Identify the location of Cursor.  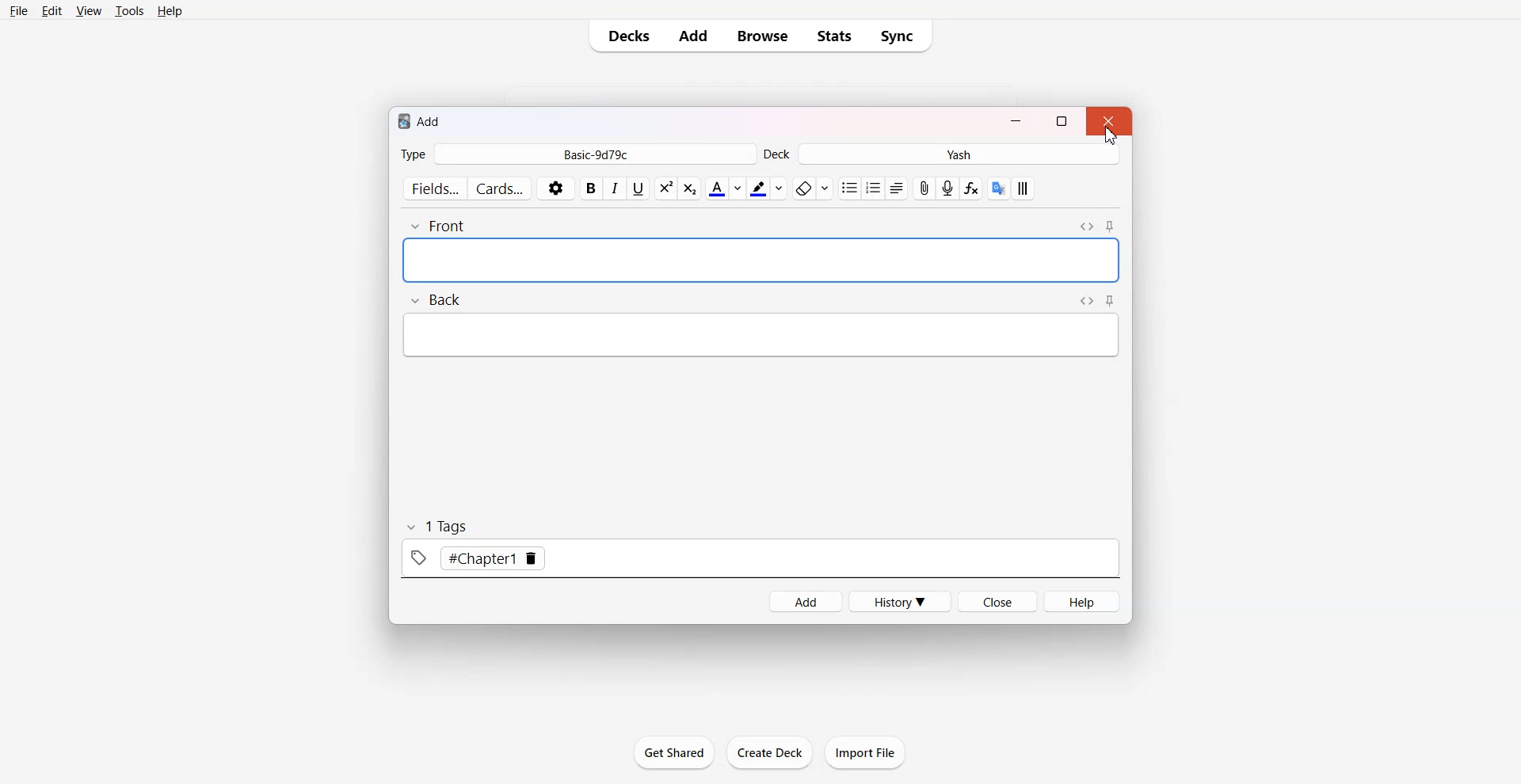
(1111, 135).